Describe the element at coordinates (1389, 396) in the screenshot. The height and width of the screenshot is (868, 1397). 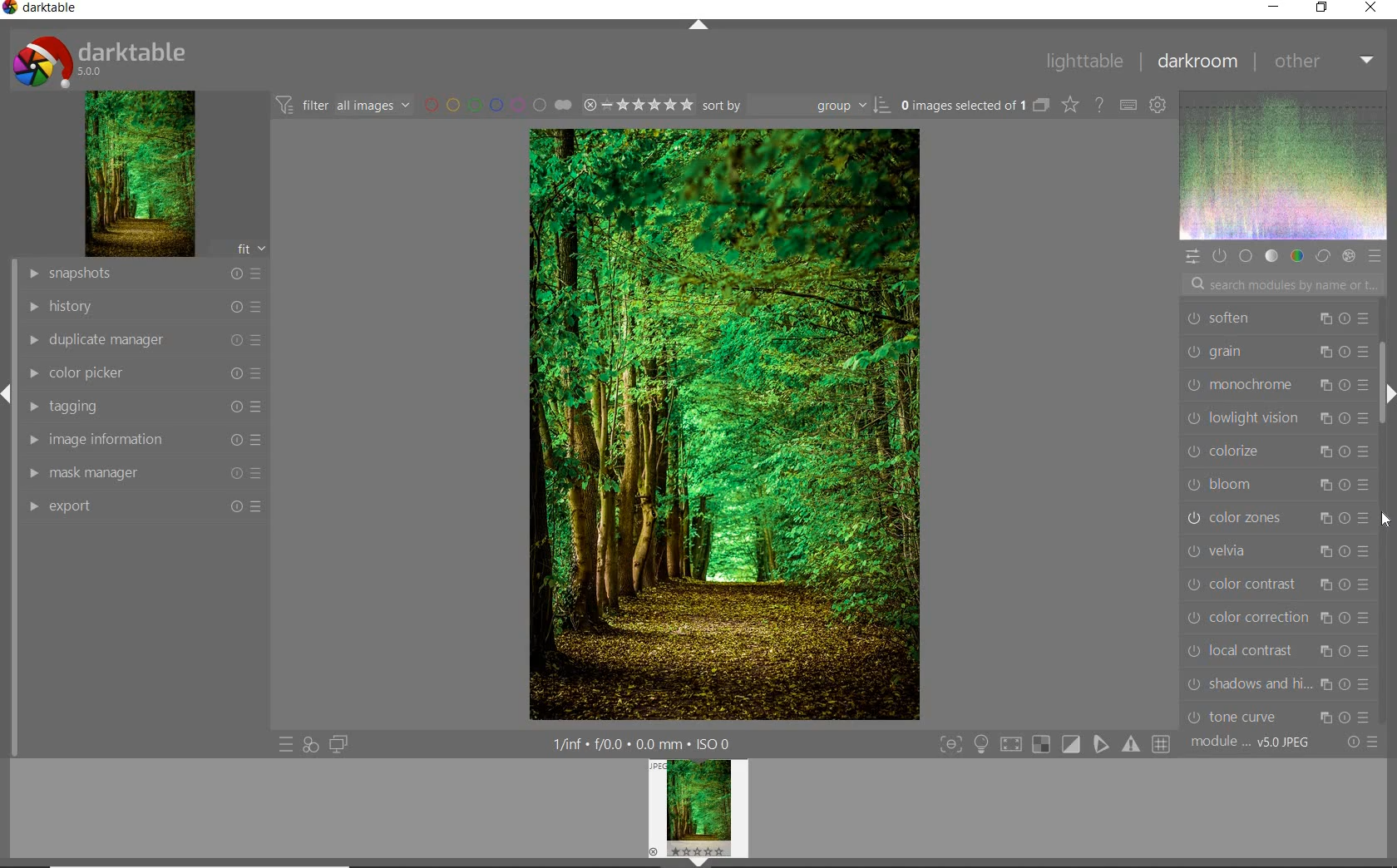
I see `EXPAND/COLLAPSE` at that location.